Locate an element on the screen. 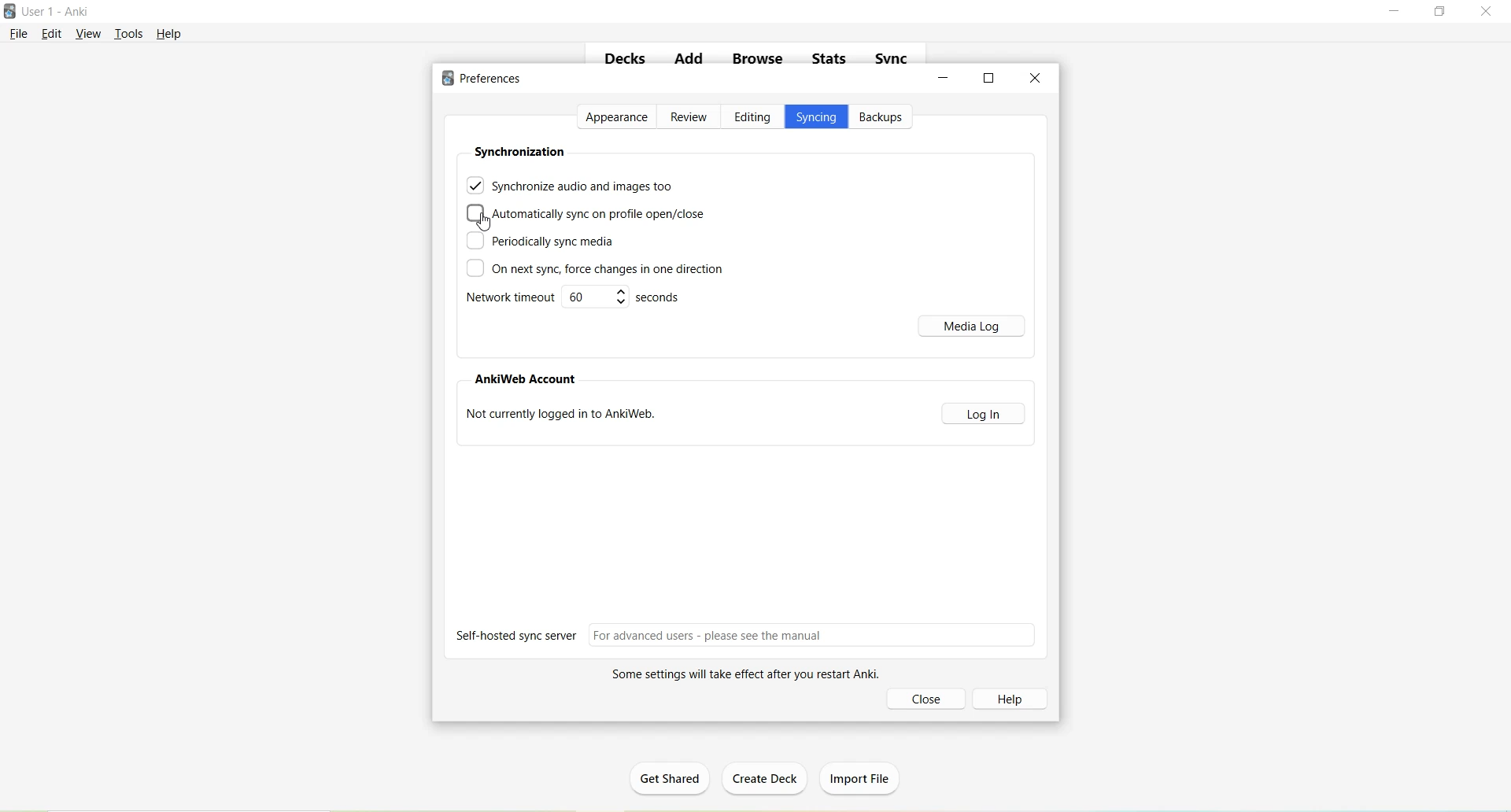 This screenshot has height=812, width=1511. AnkiWeb Account is located at coordinates (528, 380).